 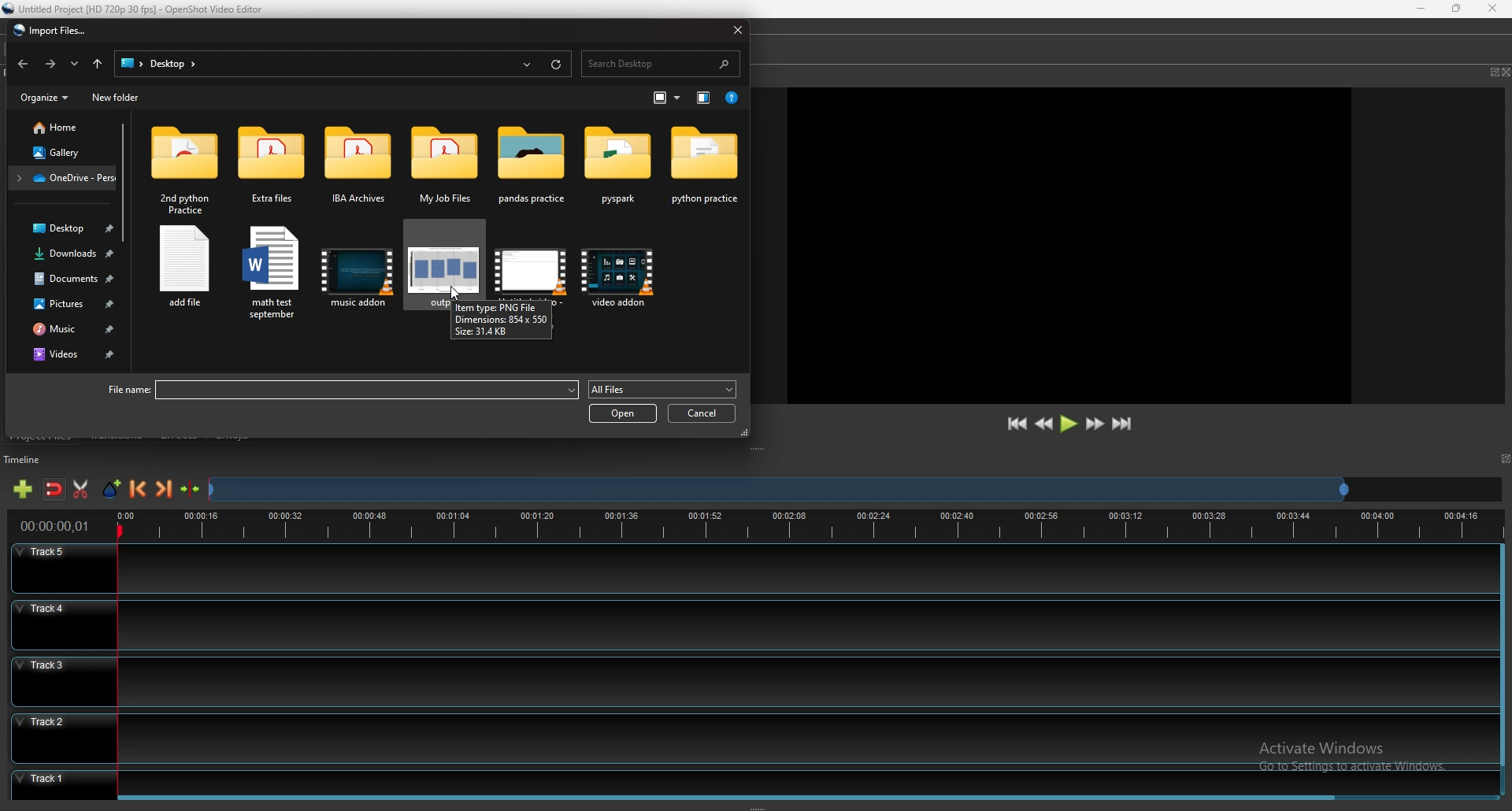 What do you see at coordinates (1506, 72) in the screenshot?
I see `close` at bounding box center [1506, 72].